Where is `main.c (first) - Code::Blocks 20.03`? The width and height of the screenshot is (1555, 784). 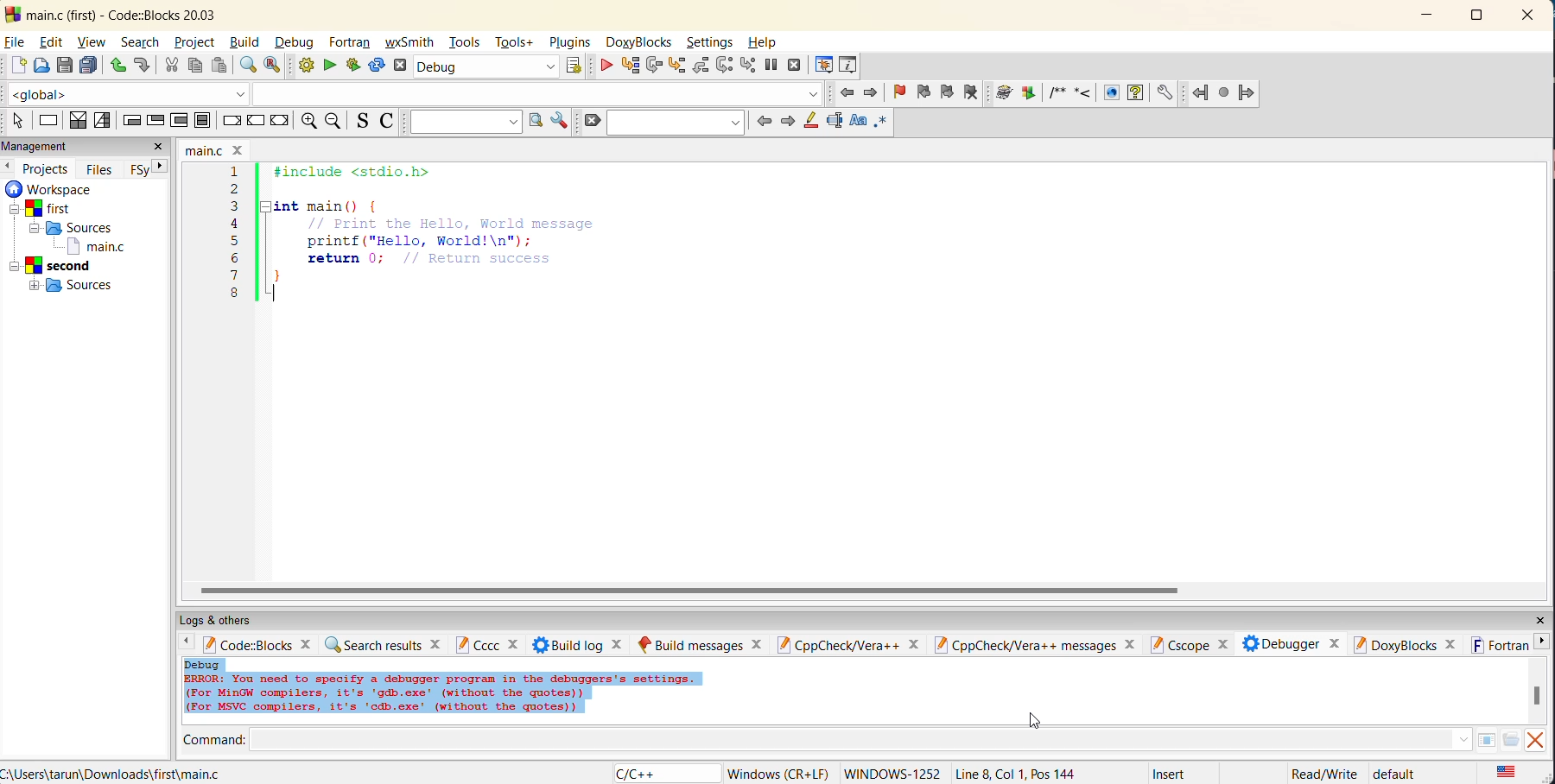 main.c (first) - Code::Blocks 20.03 is located at coordinates (116, 15).